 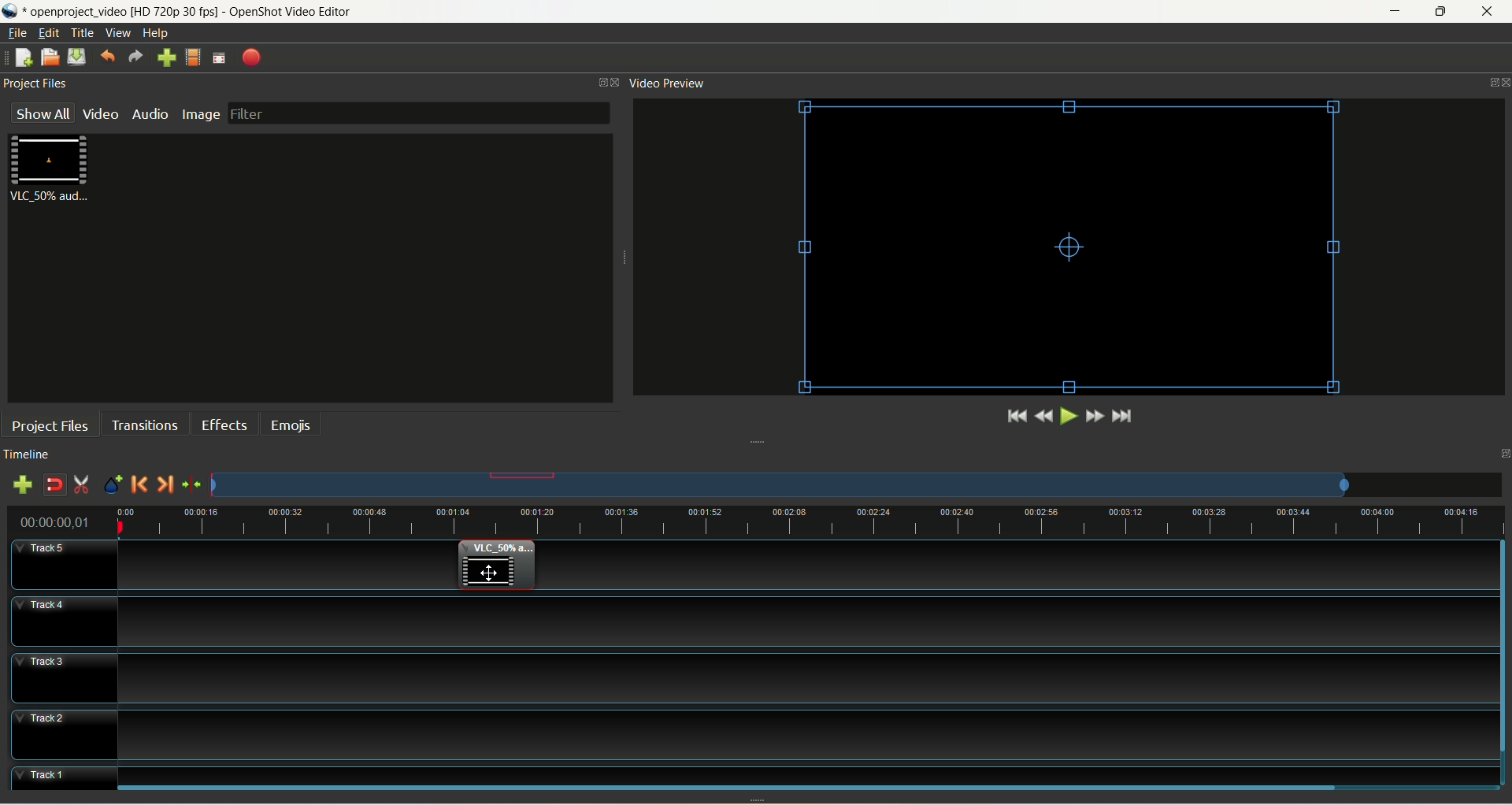 What do you see at coordinates (1072, 248) in the screenshot?
I see `video clip` at bounding box center [1072, 248].